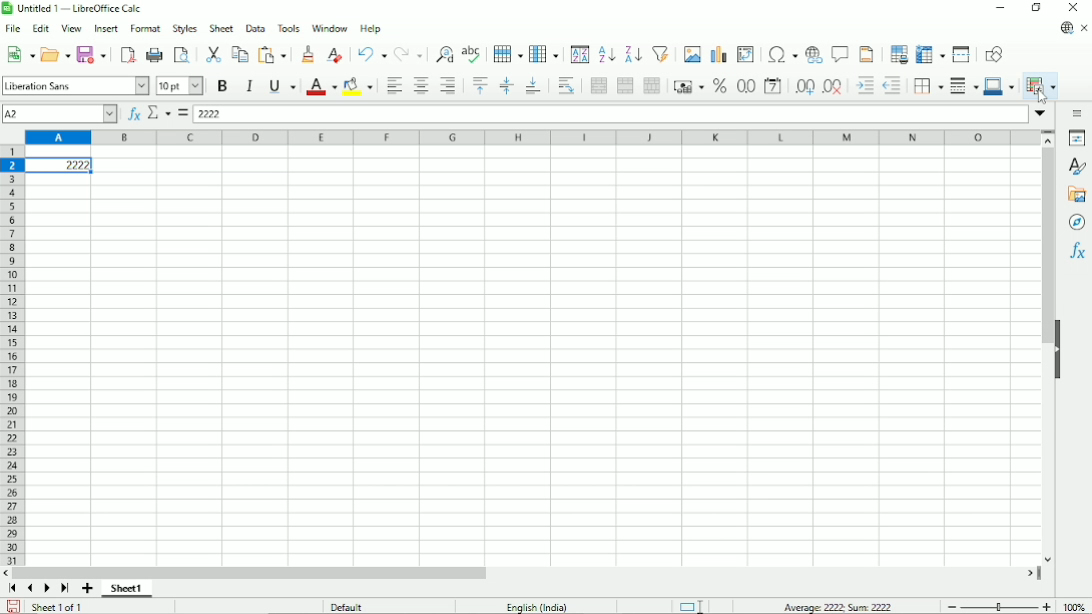 This screenshot has width=1092, height=614. What do you see at coordinates (686, 85) in the screenshot?
I see `Format as currency` at bounding box center [686, 85].